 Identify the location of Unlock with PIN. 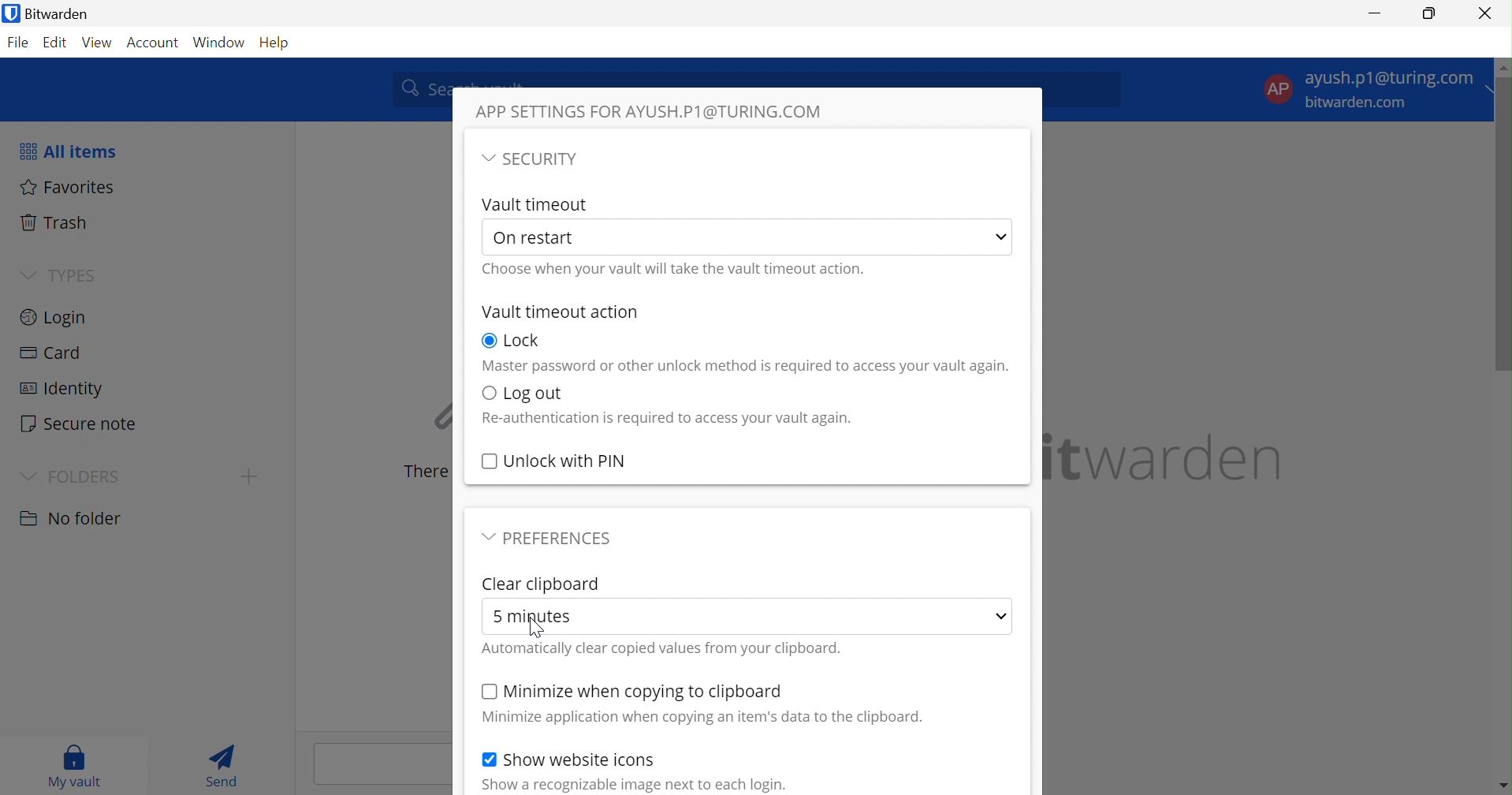
(568, 460).